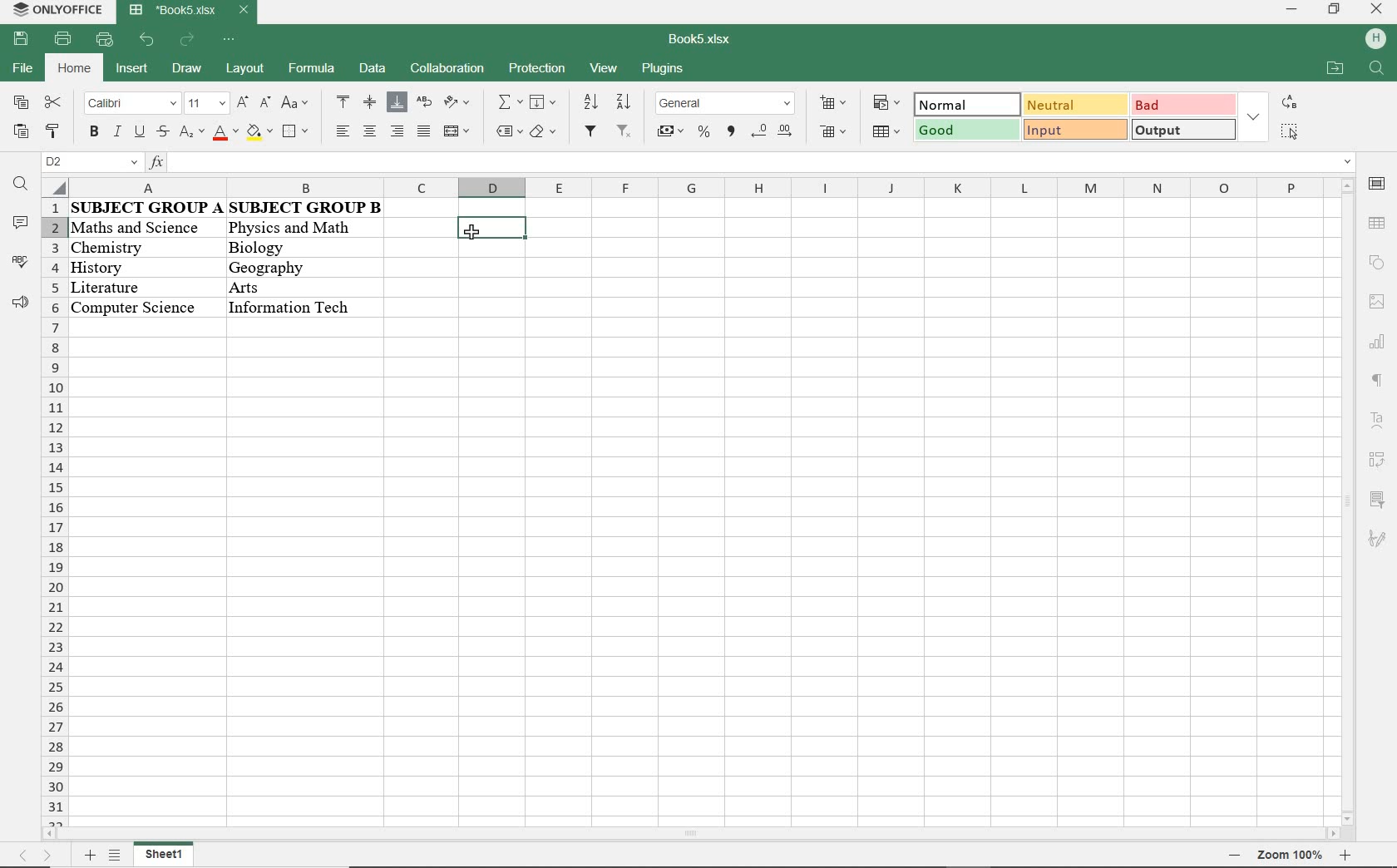  What do you see at coordinates (694, 836) in the screenshot?
I see `scrollbar` at bounding box center [694, 836].